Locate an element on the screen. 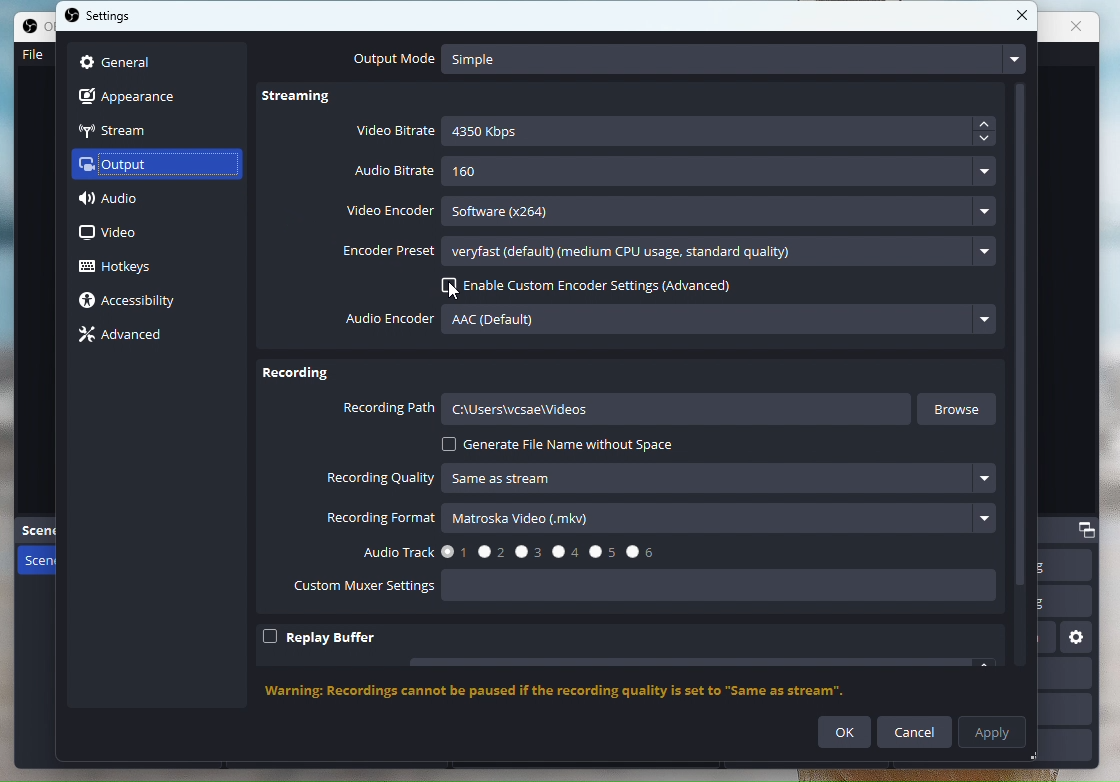 Image resolution: width=1120 pixels, height=782 pixels. Recording path is located at coordinates (624, 409).